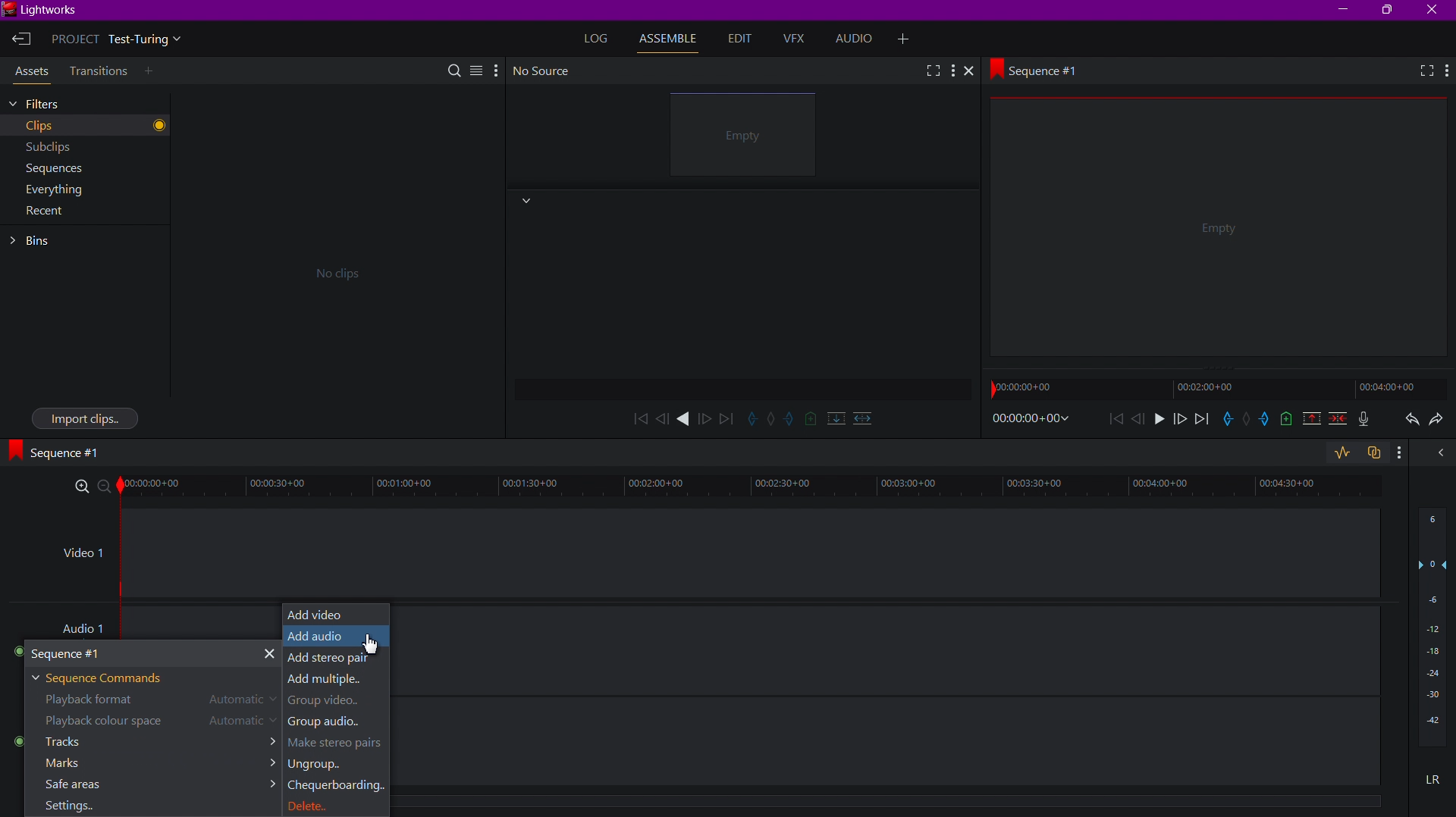 This screenshot has height=817, width=1456. What do you see at coordinates (105, 677) in the screenshot?
I see `Sequence Commands` at bounding box center [105, 677].